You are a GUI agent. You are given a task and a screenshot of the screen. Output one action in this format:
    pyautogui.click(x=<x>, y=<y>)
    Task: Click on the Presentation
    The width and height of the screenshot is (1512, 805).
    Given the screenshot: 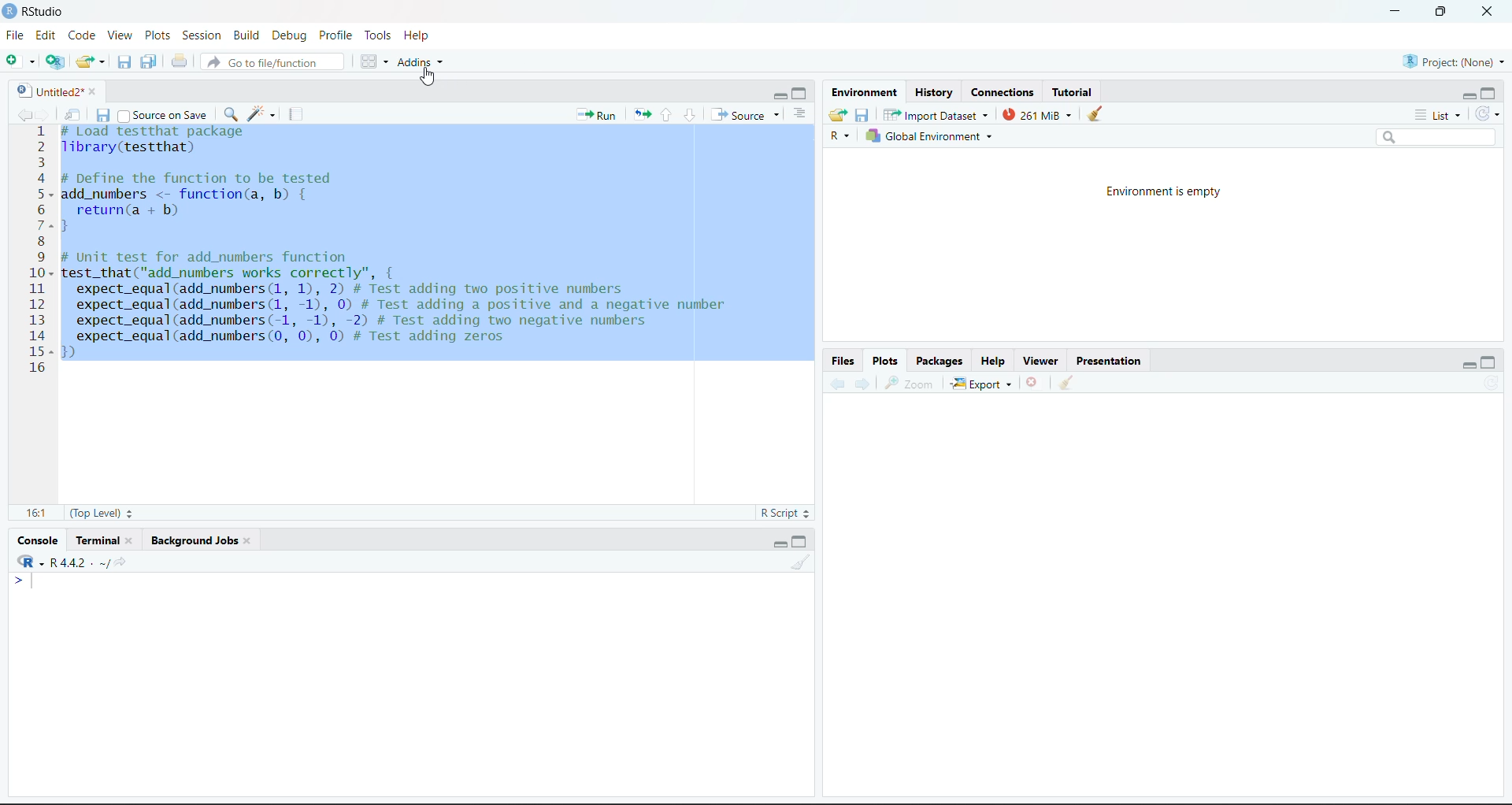 What is the action you would take?
    pyautogui.click(x=1110, y=360)
    